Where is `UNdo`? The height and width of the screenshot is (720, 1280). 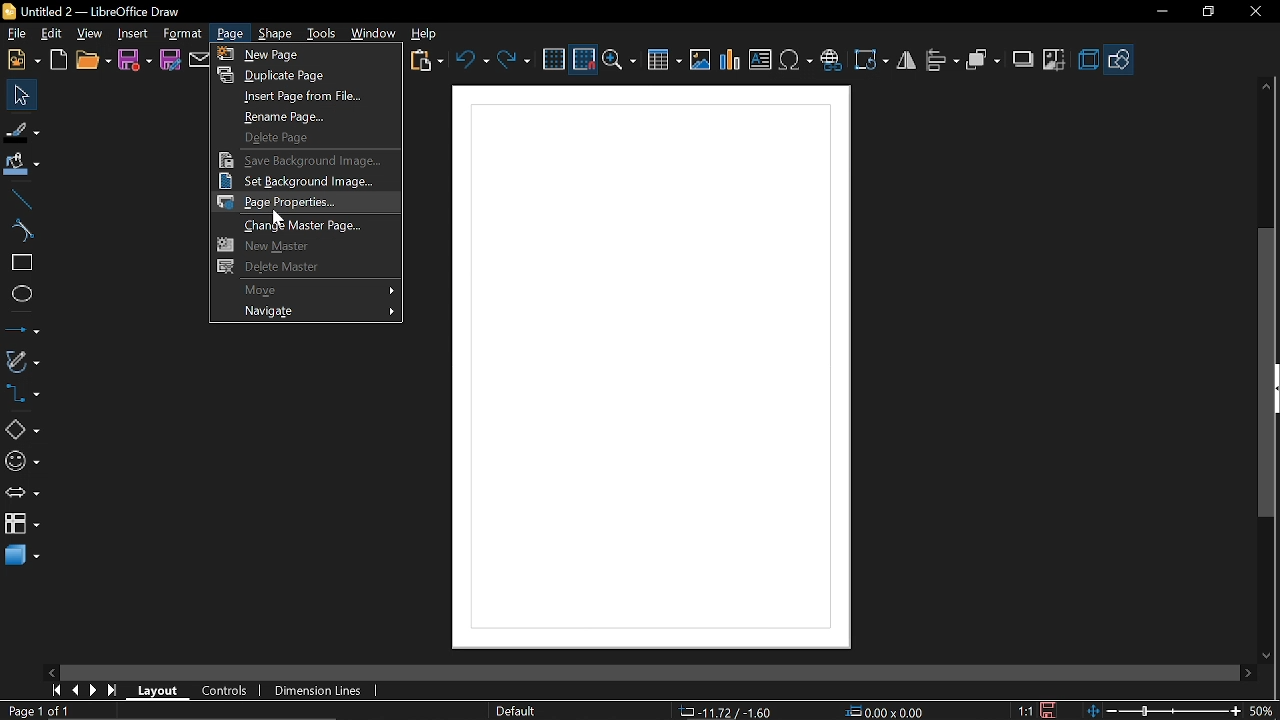 UNdo is located at coordinates (471, 61).